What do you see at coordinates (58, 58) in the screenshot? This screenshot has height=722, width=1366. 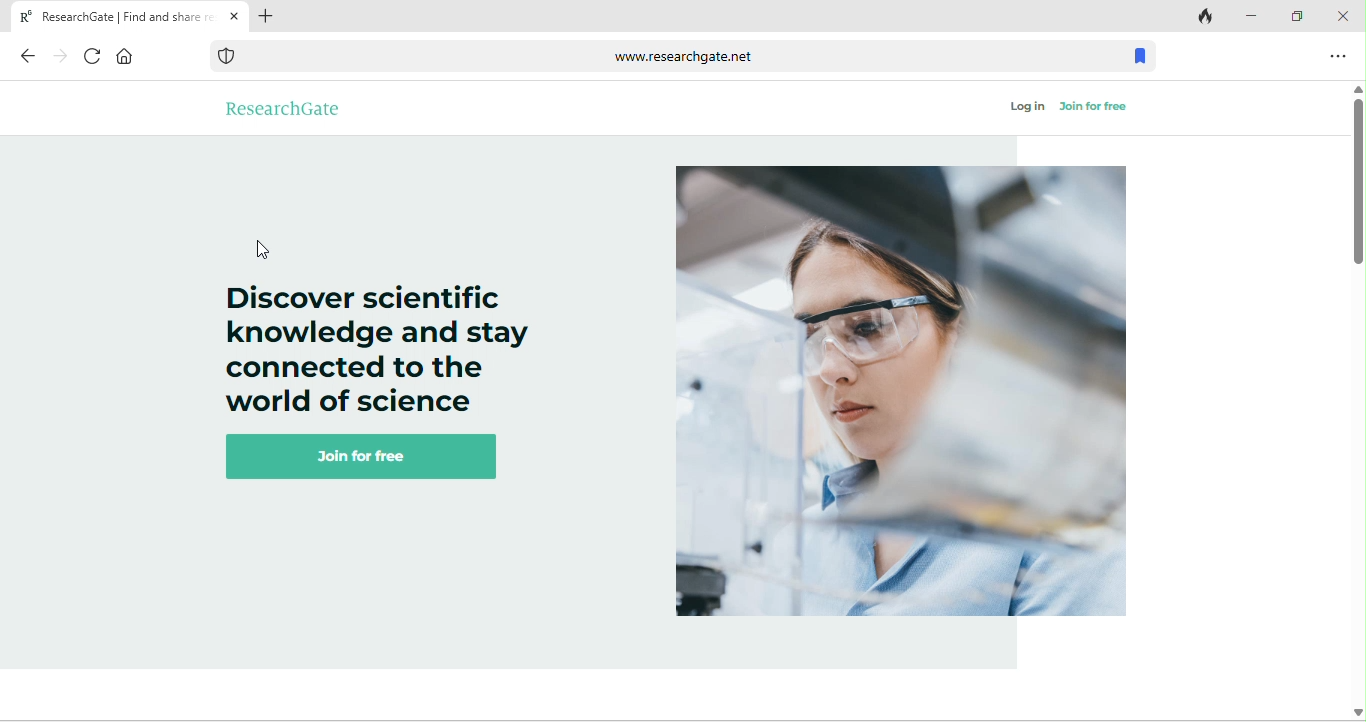 I see `forward` at bounding box center [58, 58].